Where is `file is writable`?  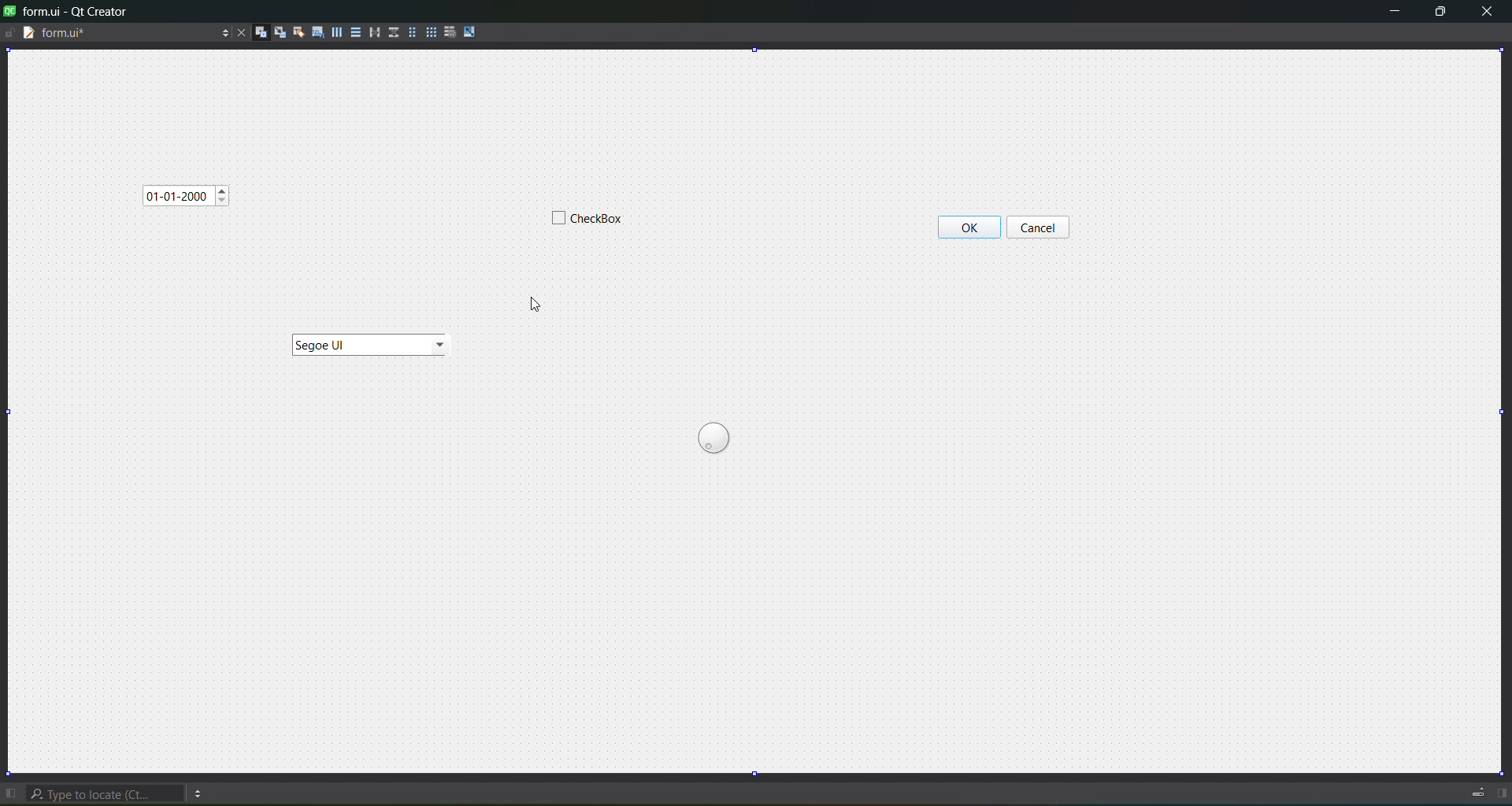
file is writable is located at coordinates (9, 31).